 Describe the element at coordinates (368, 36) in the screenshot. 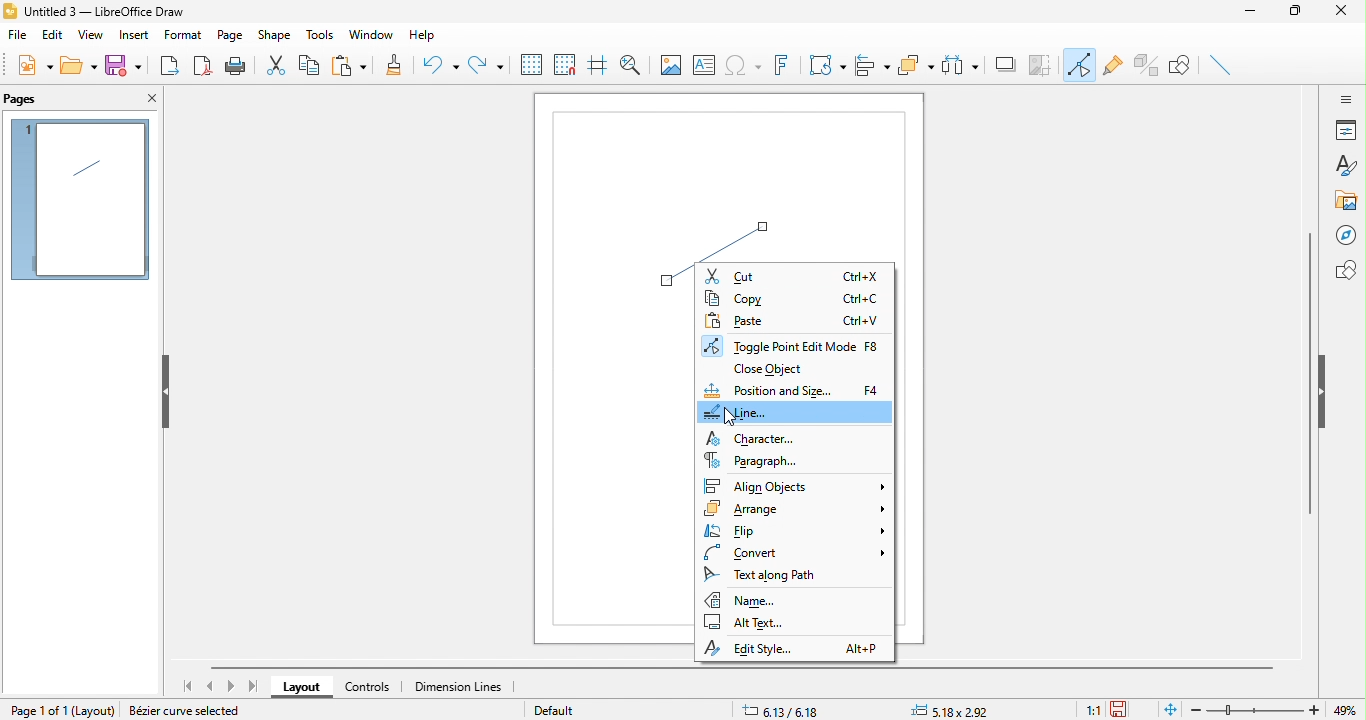

I see `window` at that location.